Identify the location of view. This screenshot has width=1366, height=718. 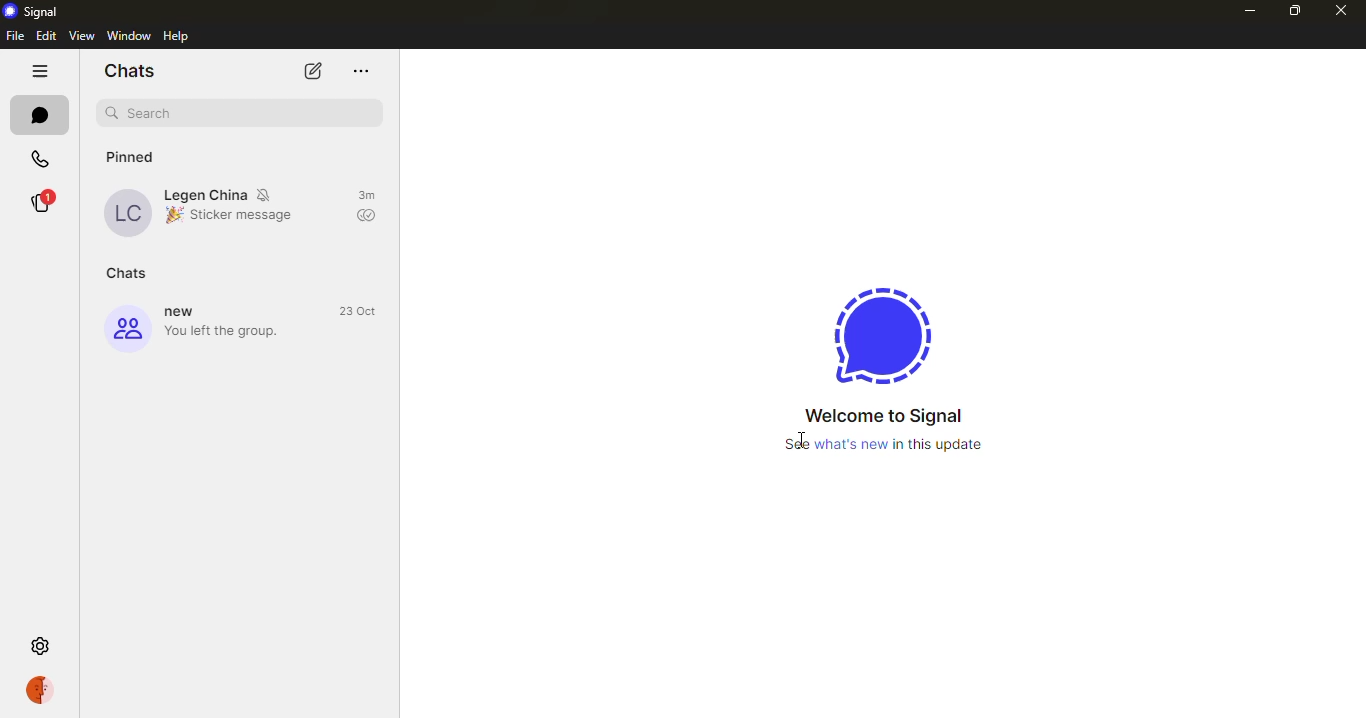
(83, 35).